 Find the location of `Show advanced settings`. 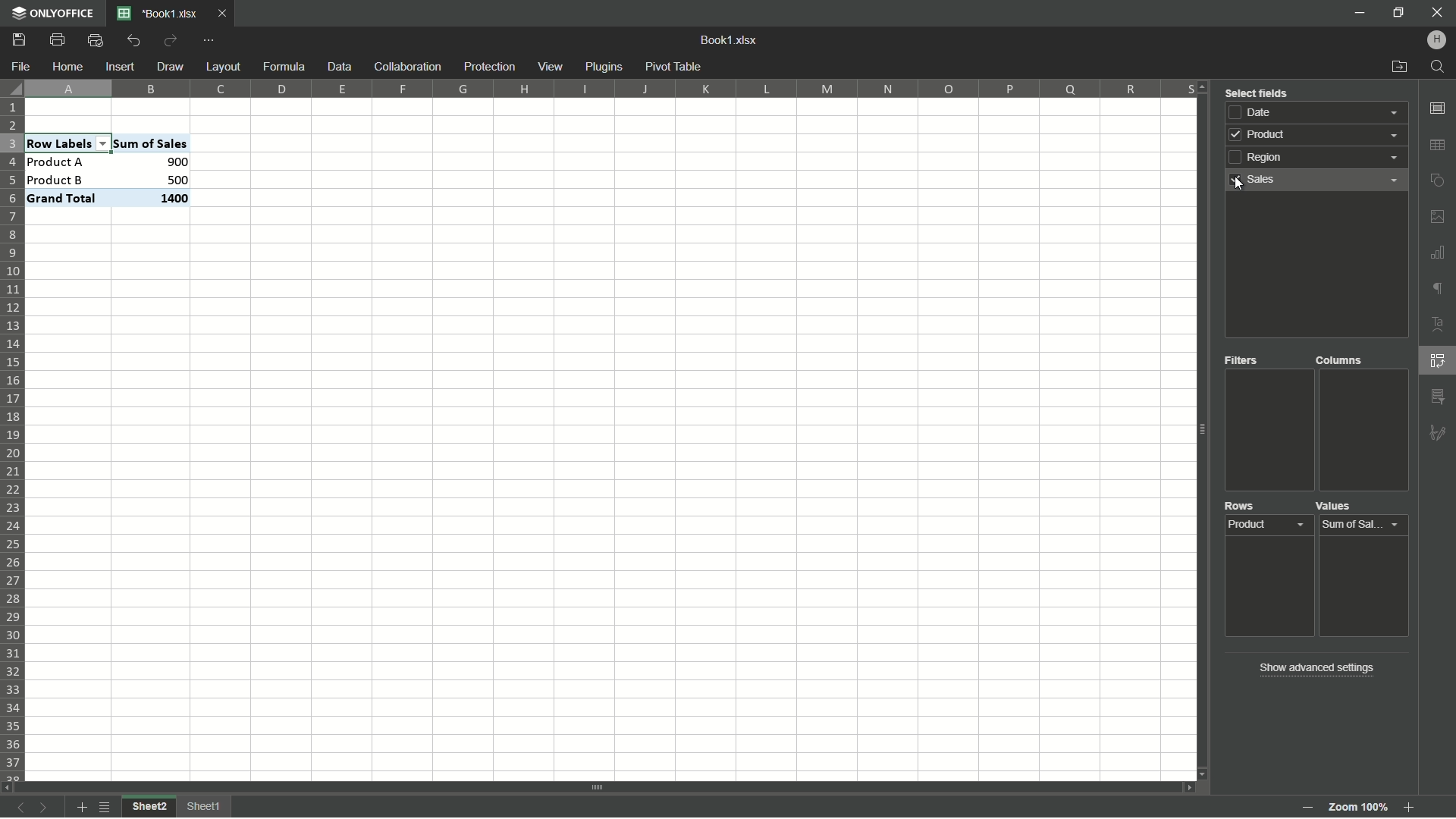

Show advanced settings is located at coordinates (1314, 667).